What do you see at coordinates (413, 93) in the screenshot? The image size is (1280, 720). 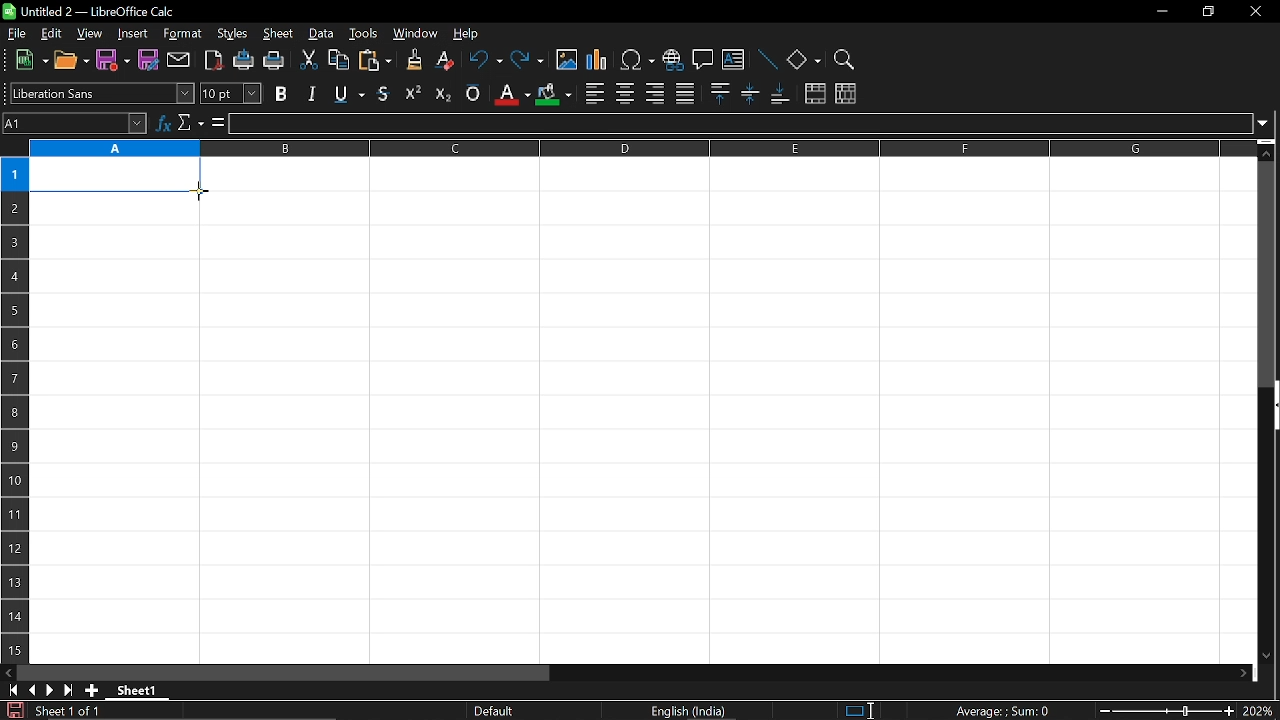 I see `supercript` at bounding box center [413, 93].